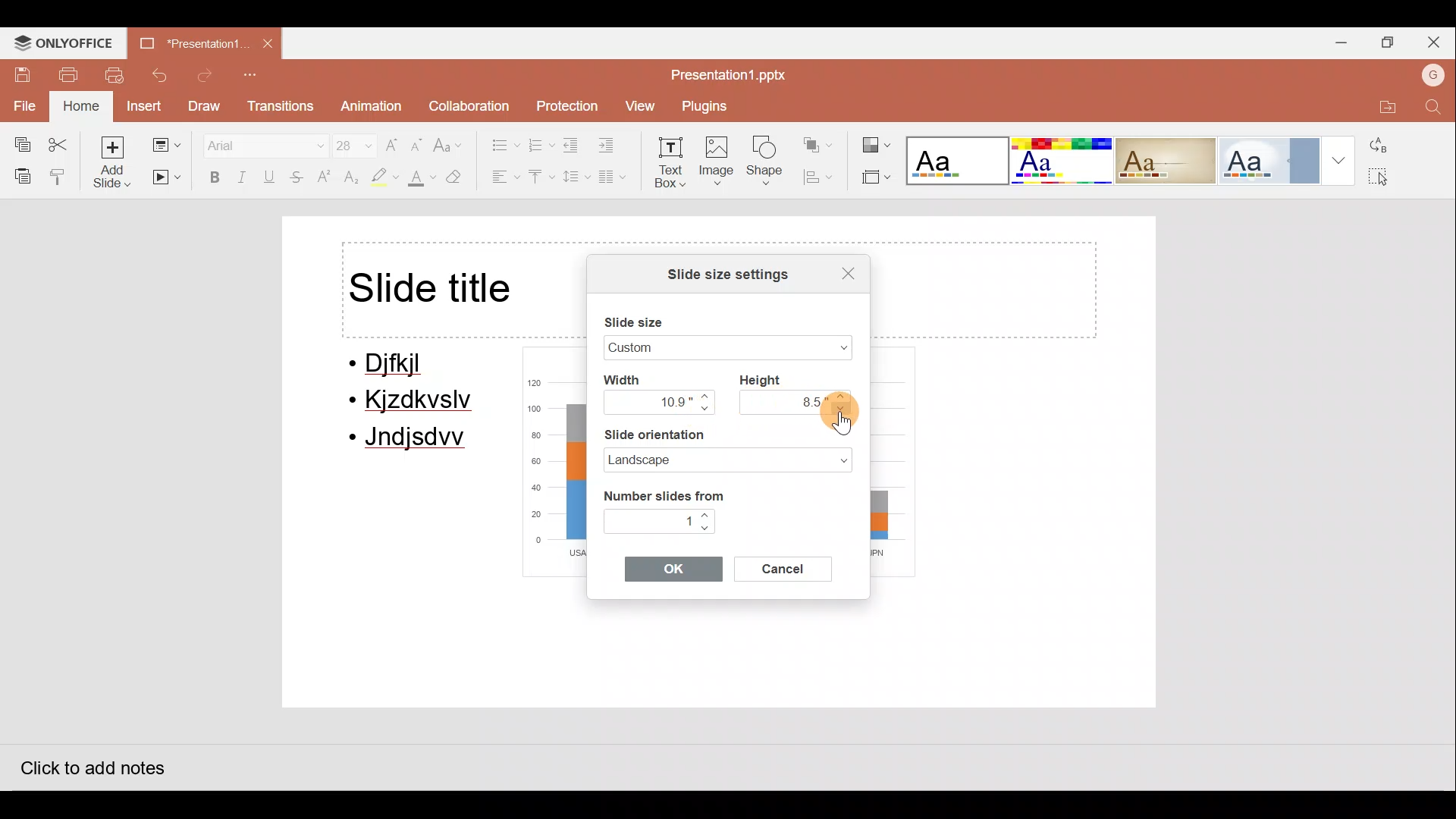  I want to click on Add slide, so click(113, 162).